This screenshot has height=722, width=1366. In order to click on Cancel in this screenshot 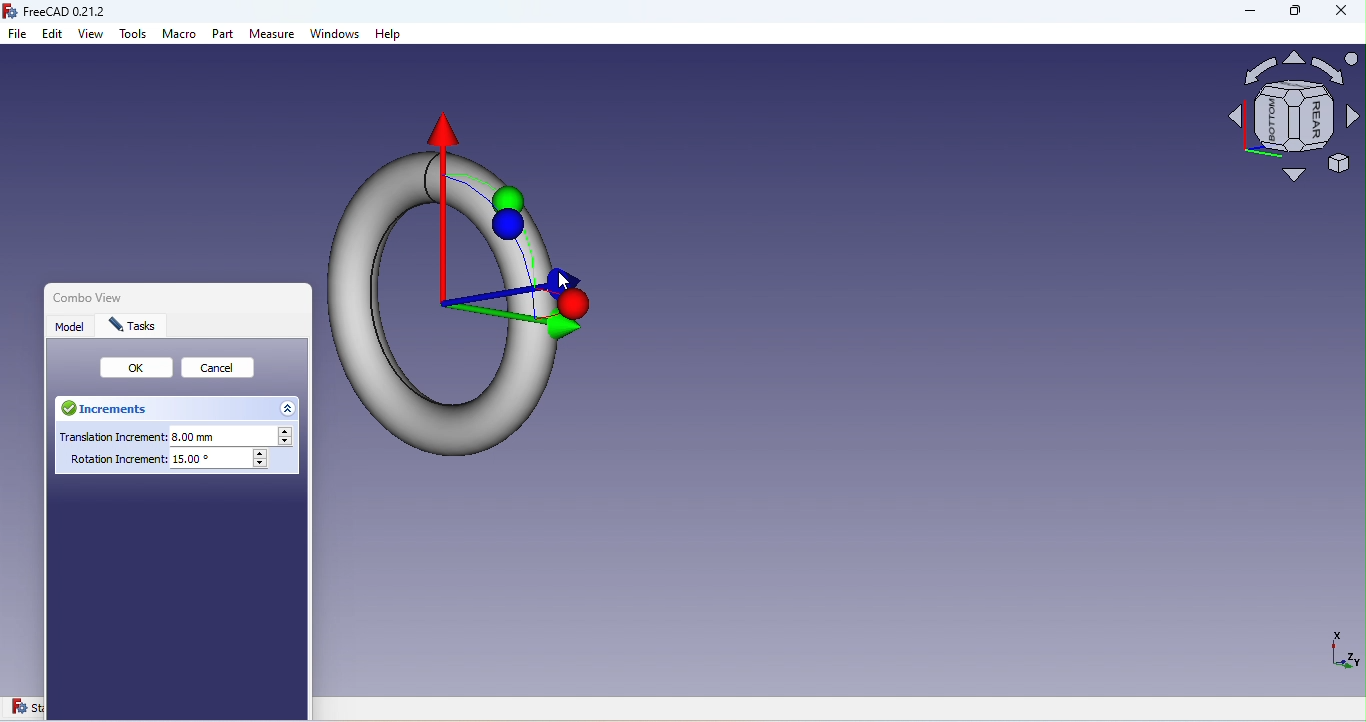, I will do `click(223, 370)`.